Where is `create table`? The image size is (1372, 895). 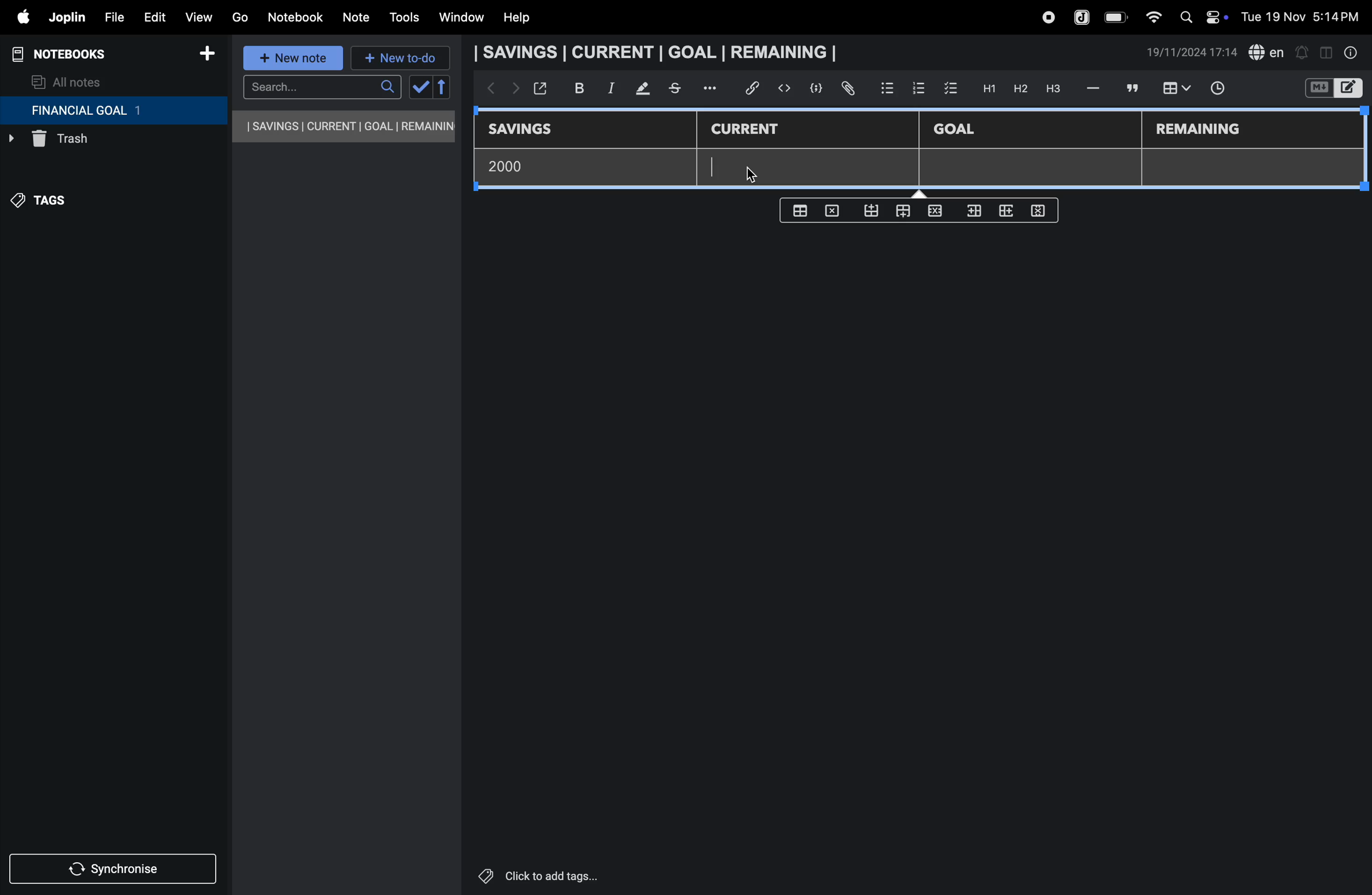
create table is located at coordinates (800, 210).